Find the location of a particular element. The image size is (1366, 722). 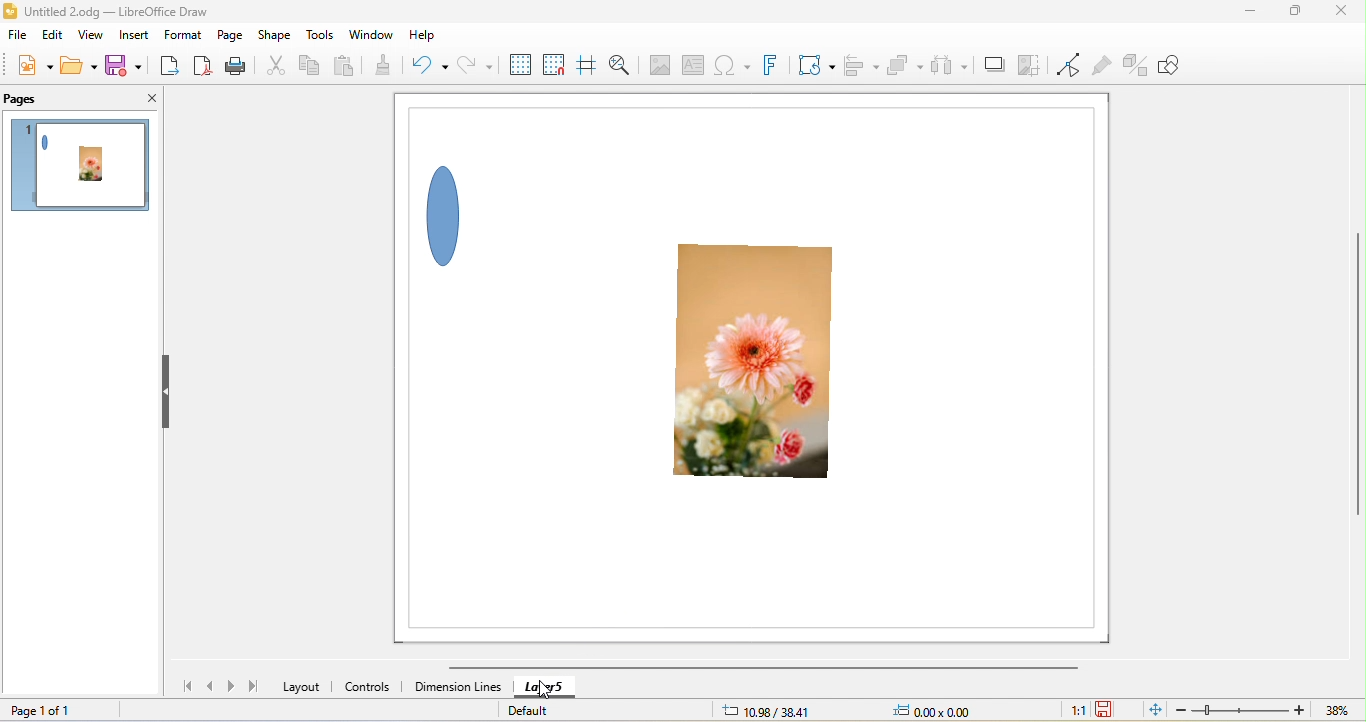

align object is located at coordinates (857, 63).